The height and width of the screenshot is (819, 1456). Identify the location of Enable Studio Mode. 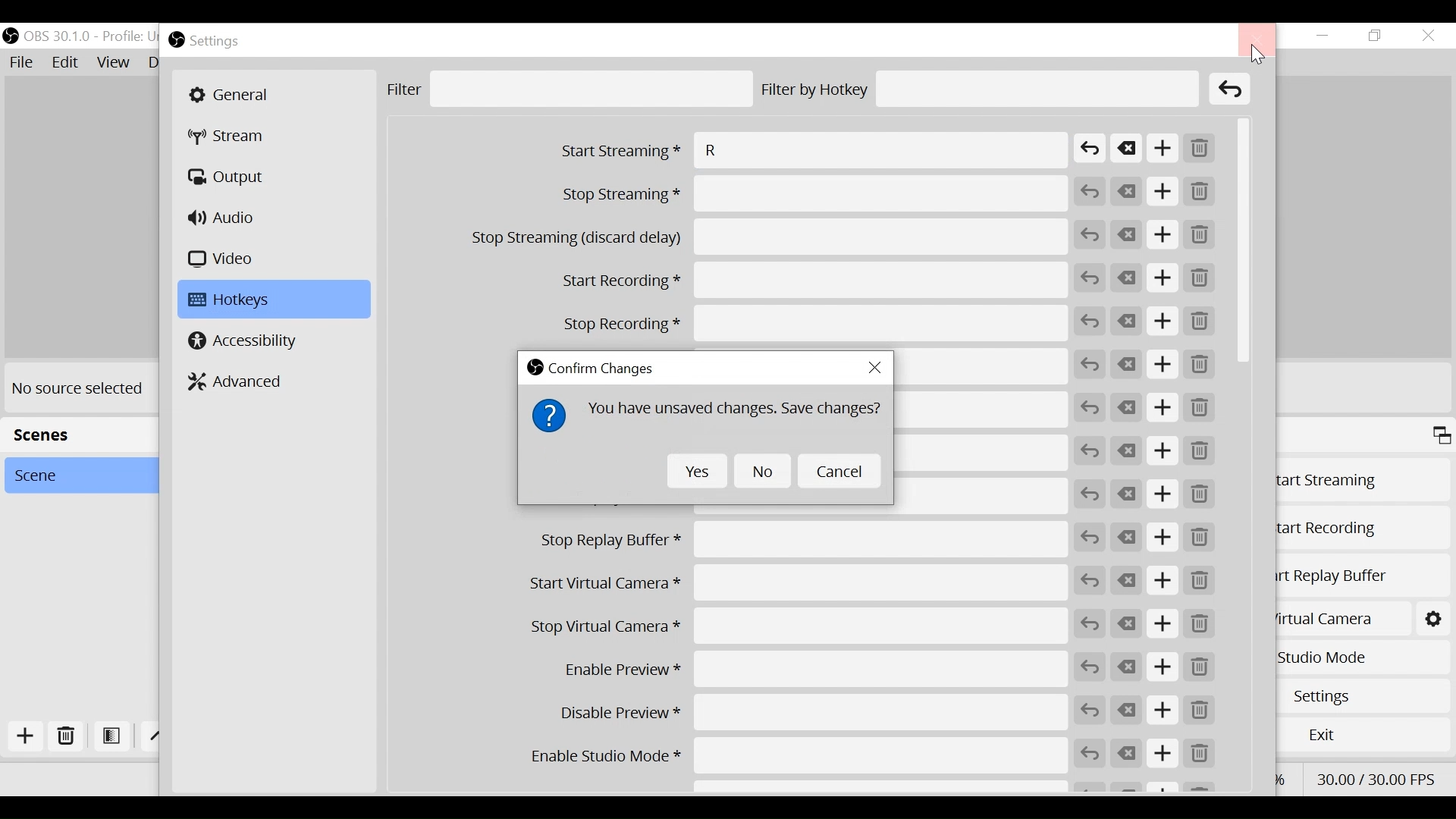
(799, 756).